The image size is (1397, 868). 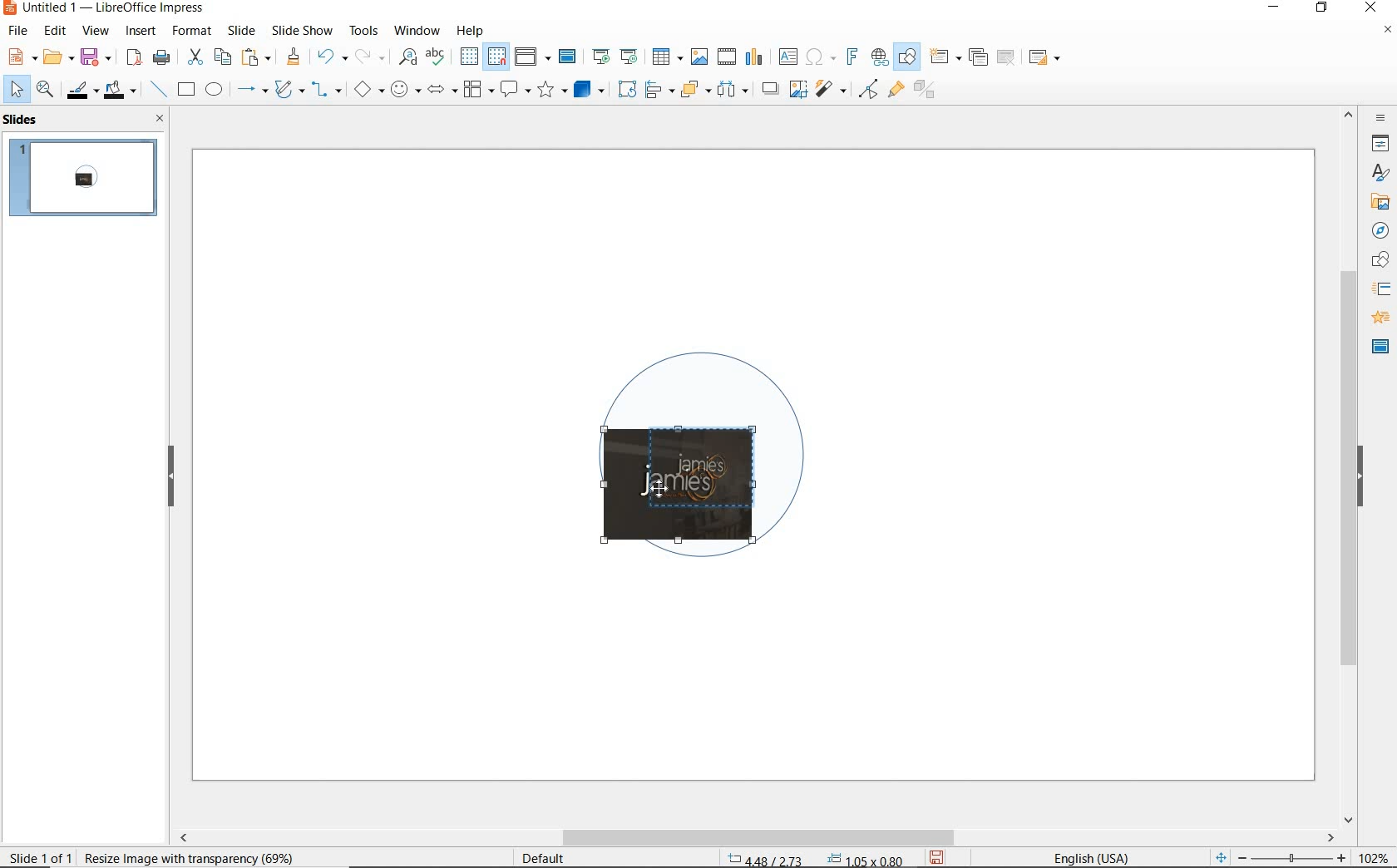 I want to click on help, so click(x=472, y=28).